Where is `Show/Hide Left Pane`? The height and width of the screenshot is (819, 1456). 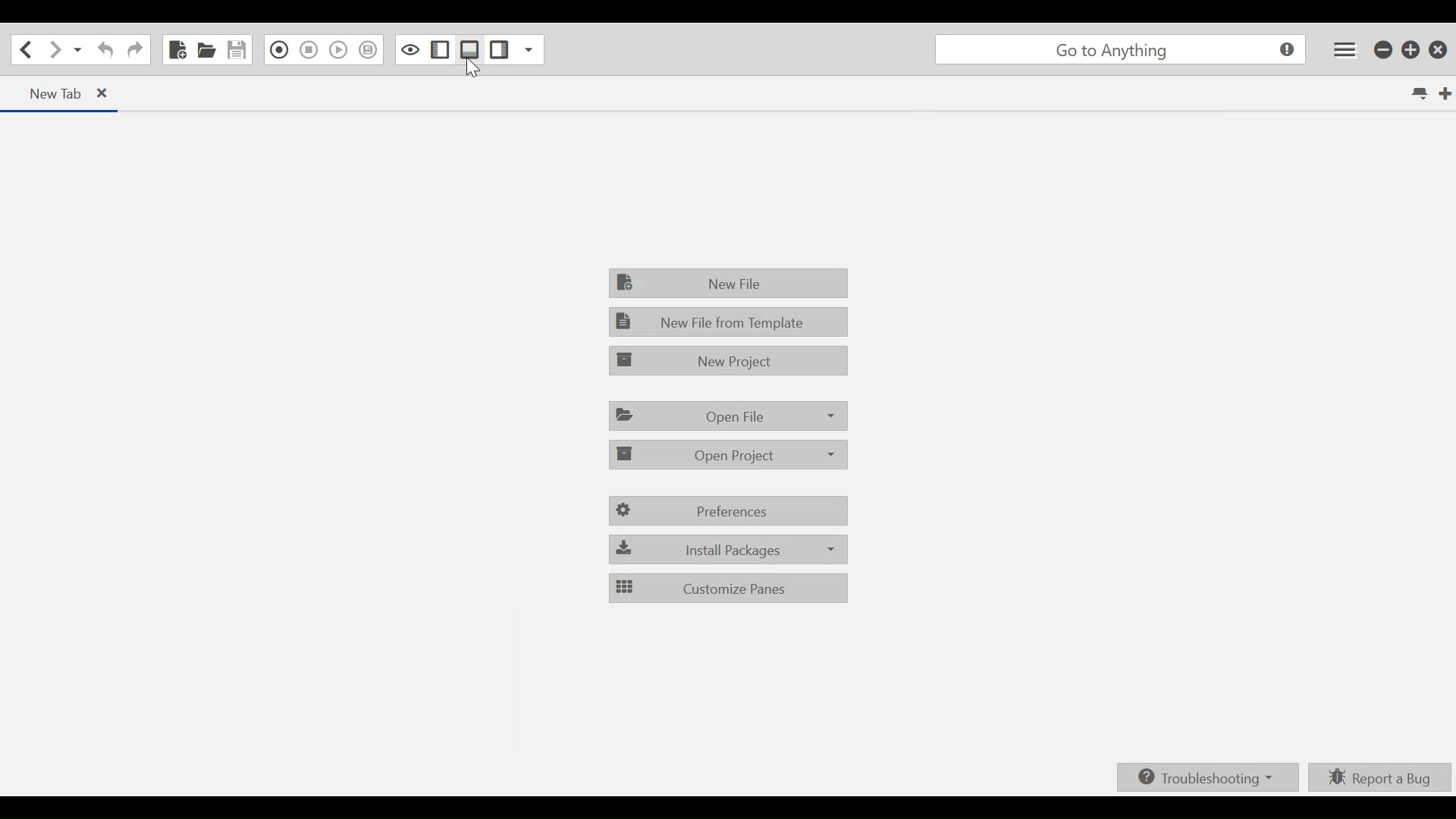 Show/Hide Left Pane is located at coordinates (441, 50).